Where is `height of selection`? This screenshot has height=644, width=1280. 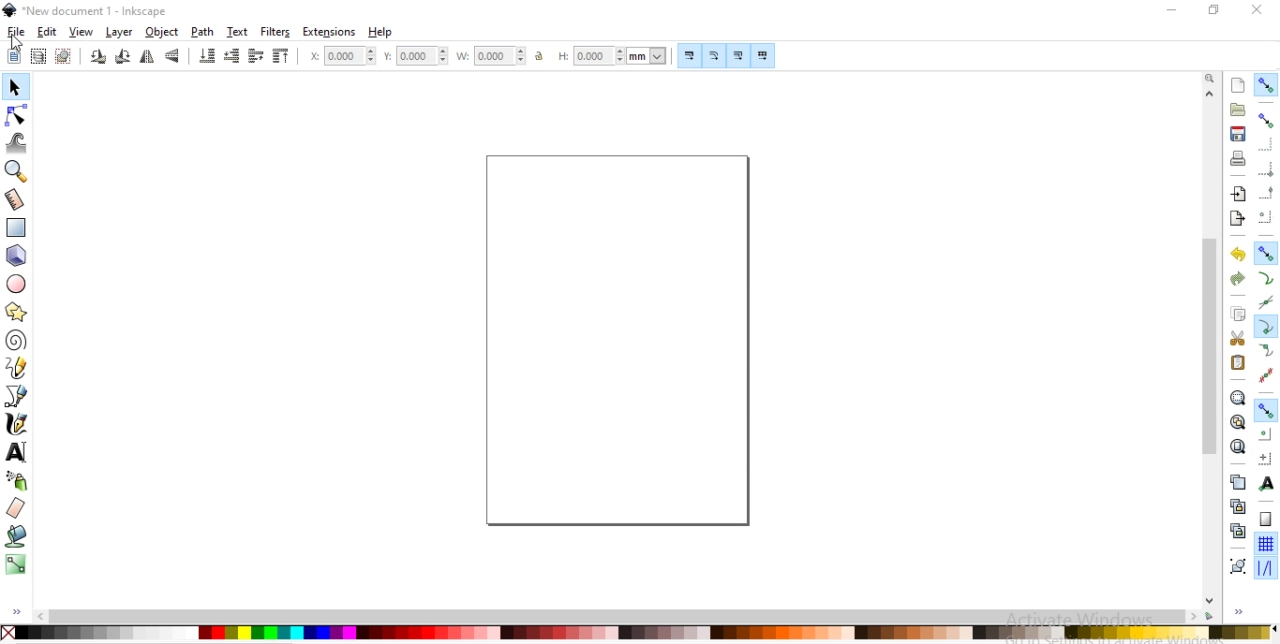 height of selection is located at coordinates (614, 56).